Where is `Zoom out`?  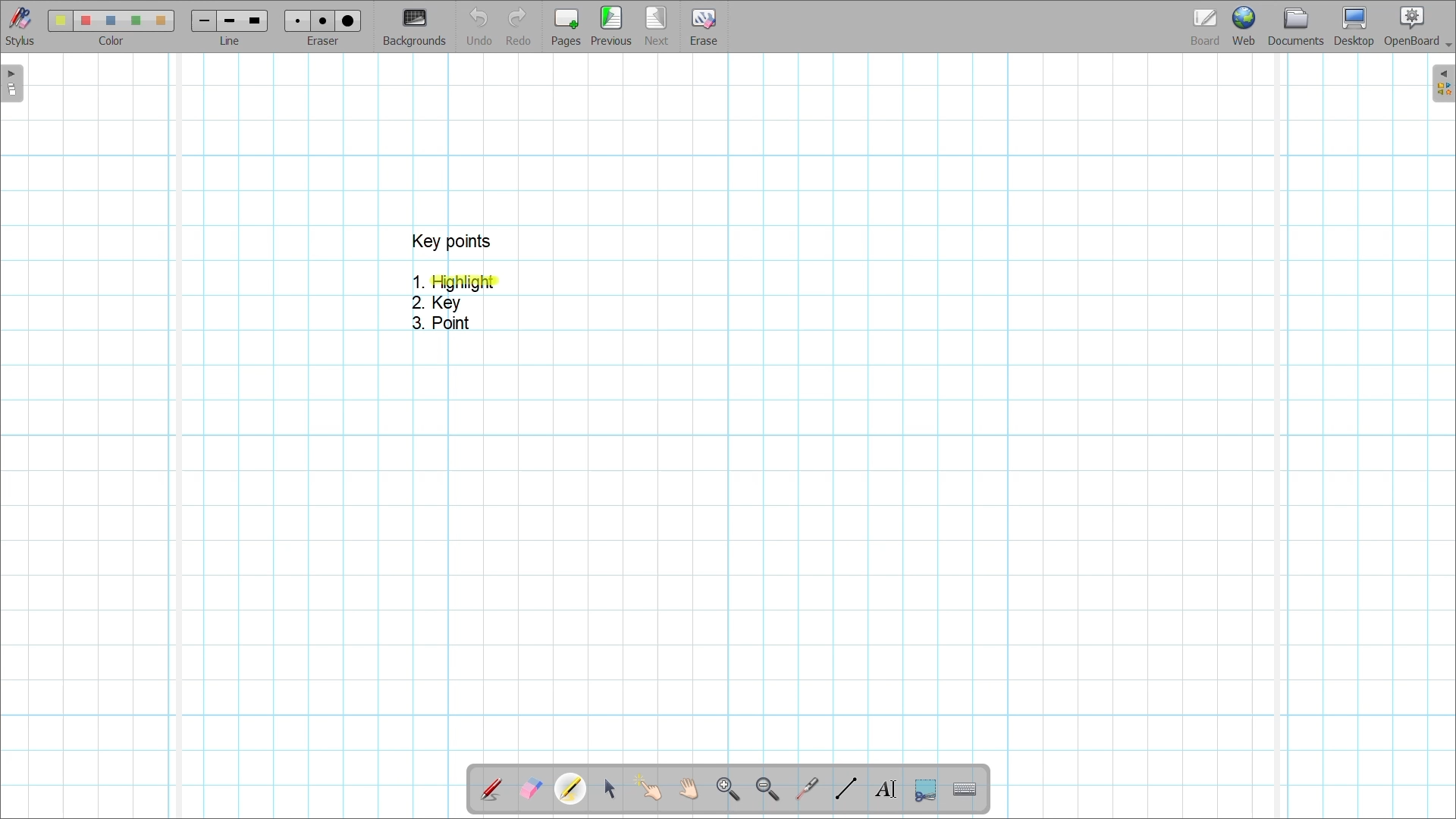
Zoom out is located at coordinates (768, 790).